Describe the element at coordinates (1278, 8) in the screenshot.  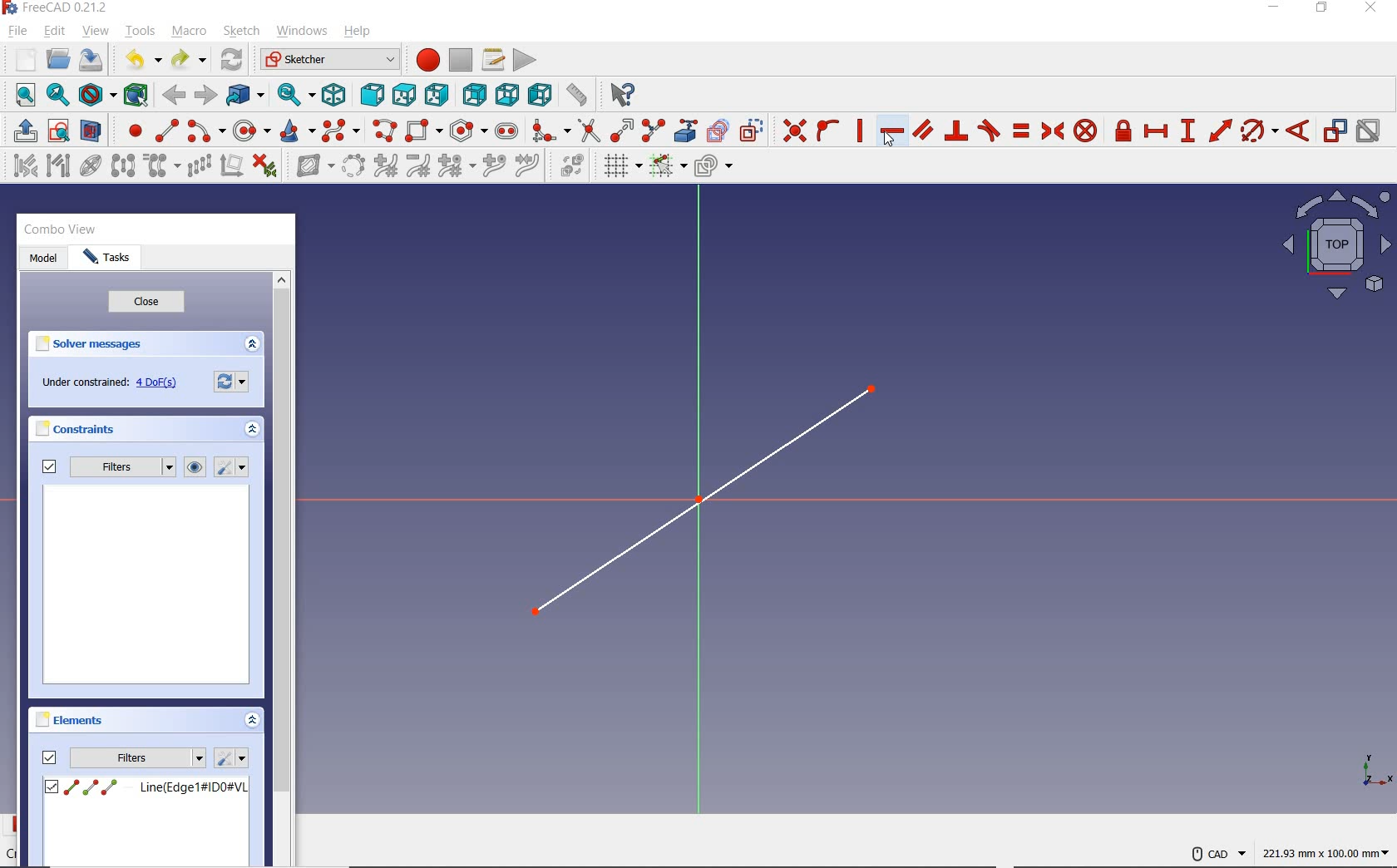
I see `MINIMIZE` at that location.